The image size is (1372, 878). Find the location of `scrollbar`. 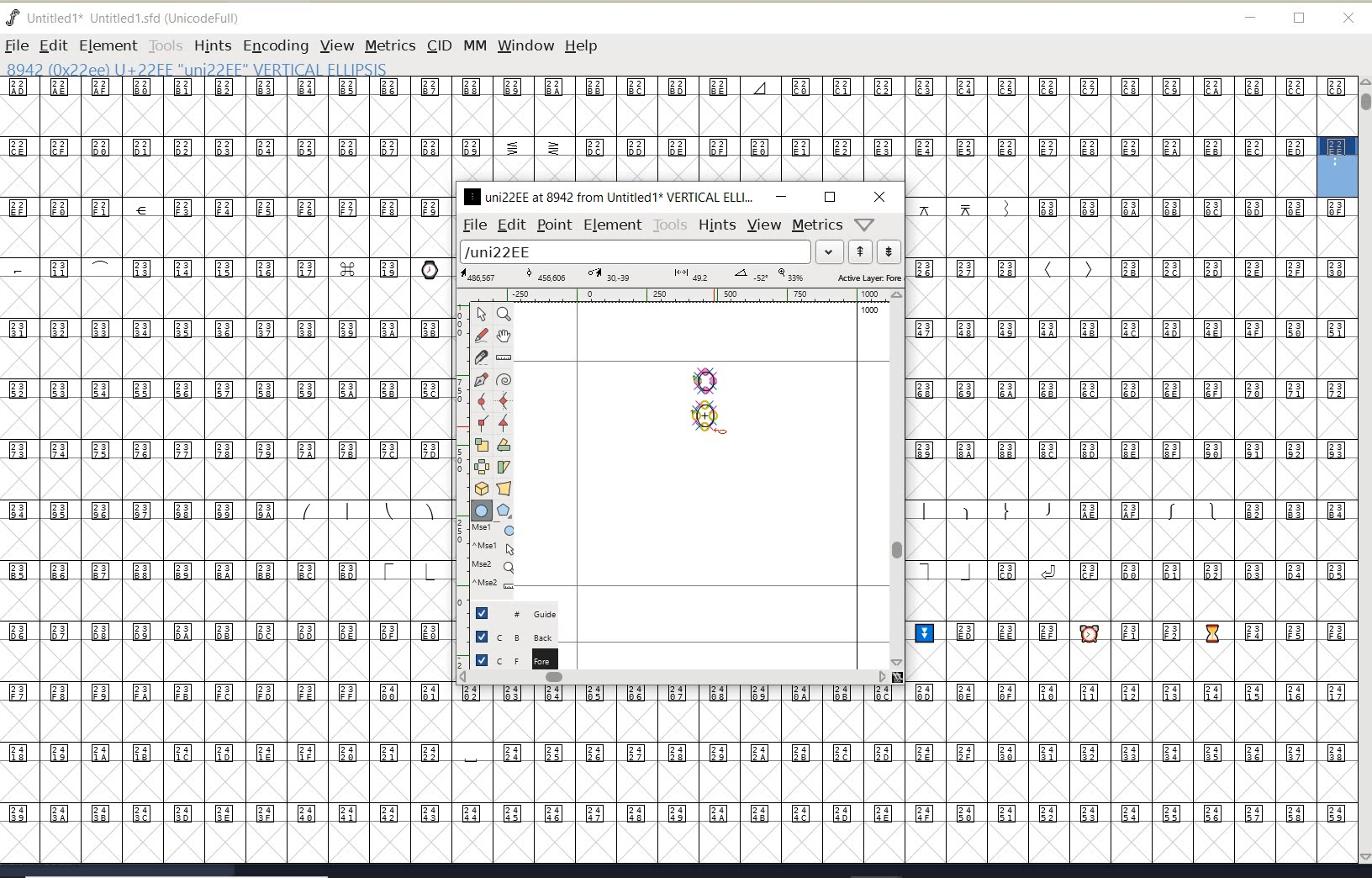

scrollbar is located at coordinates (895, 479).